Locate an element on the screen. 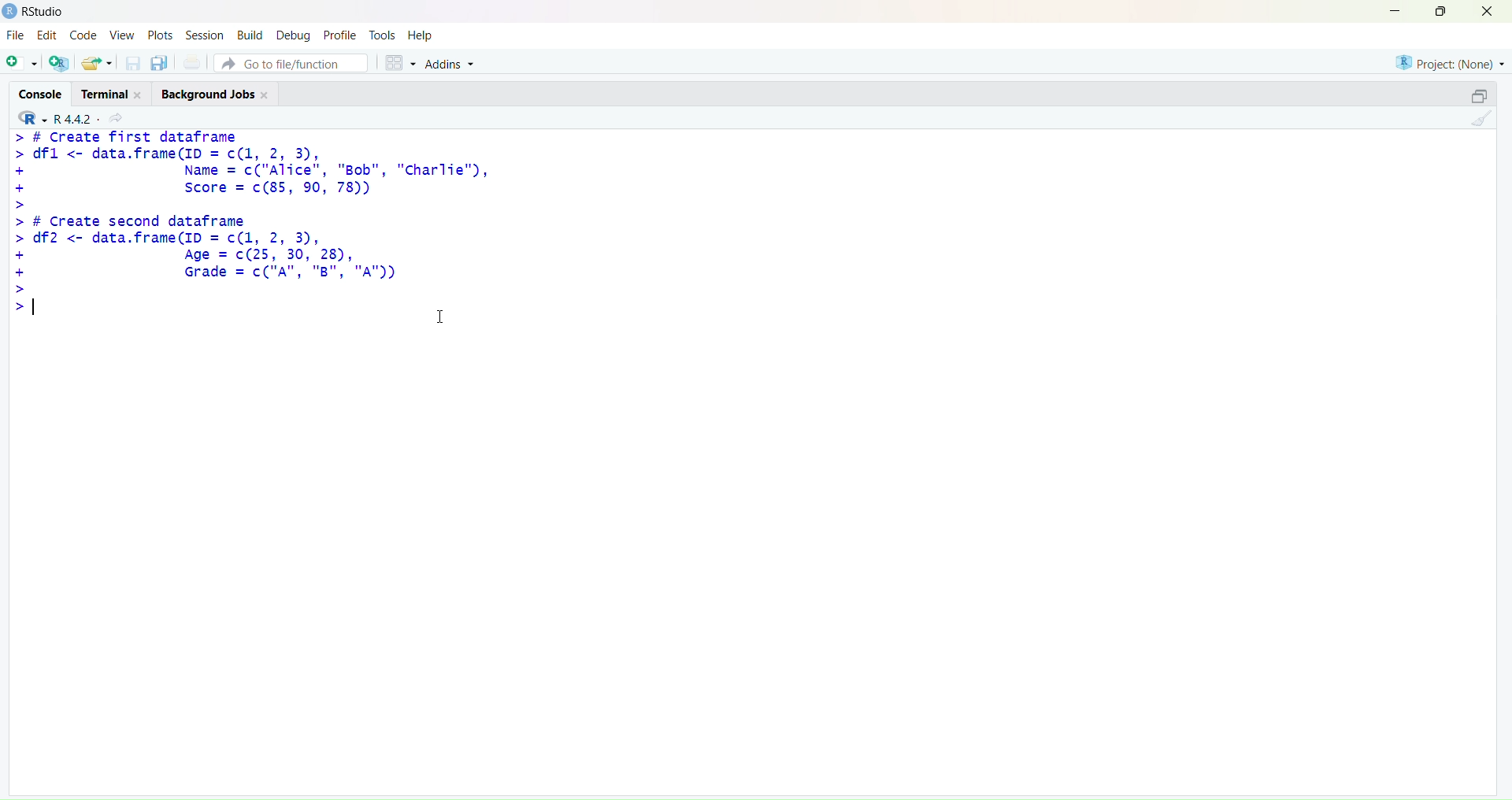  print is located at coordinates (191, 63).